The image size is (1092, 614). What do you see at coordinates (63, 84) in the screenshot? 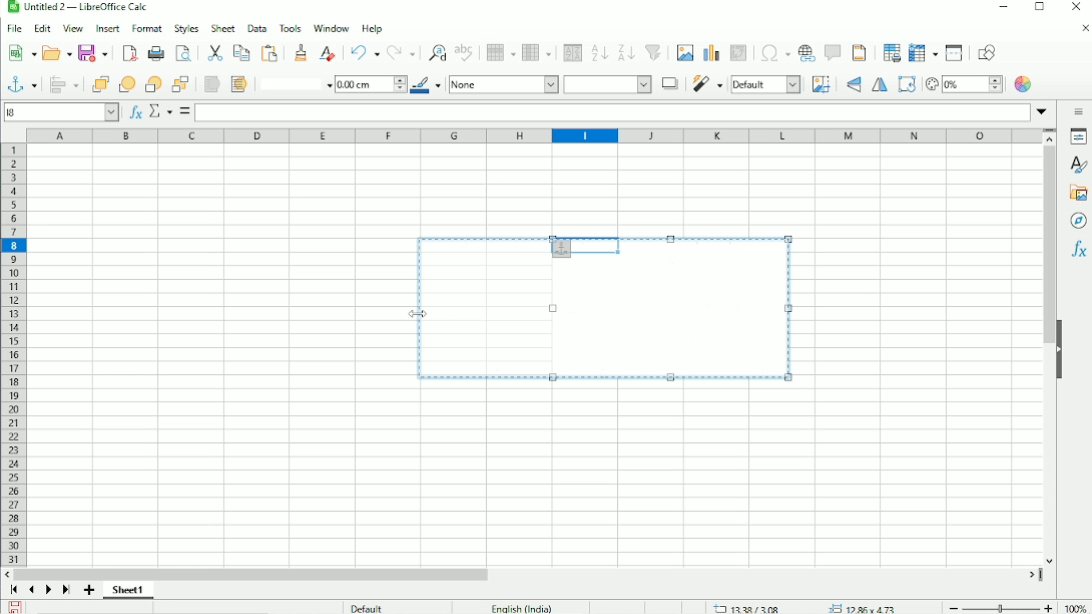
I see `Align objects` at bounding box center [63, 84].